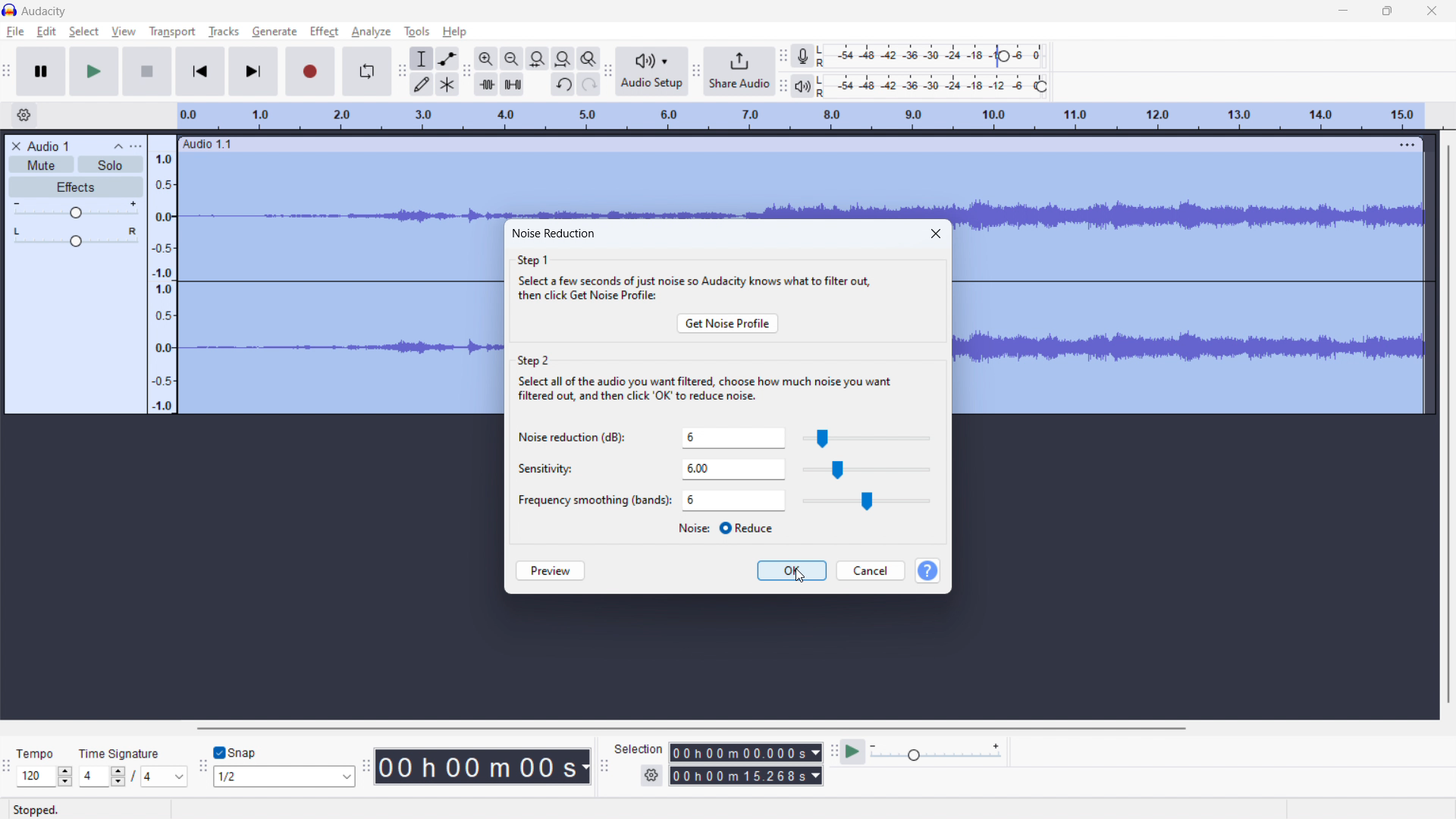  I want to click on vertical scrollbar, so click(1449, 424).